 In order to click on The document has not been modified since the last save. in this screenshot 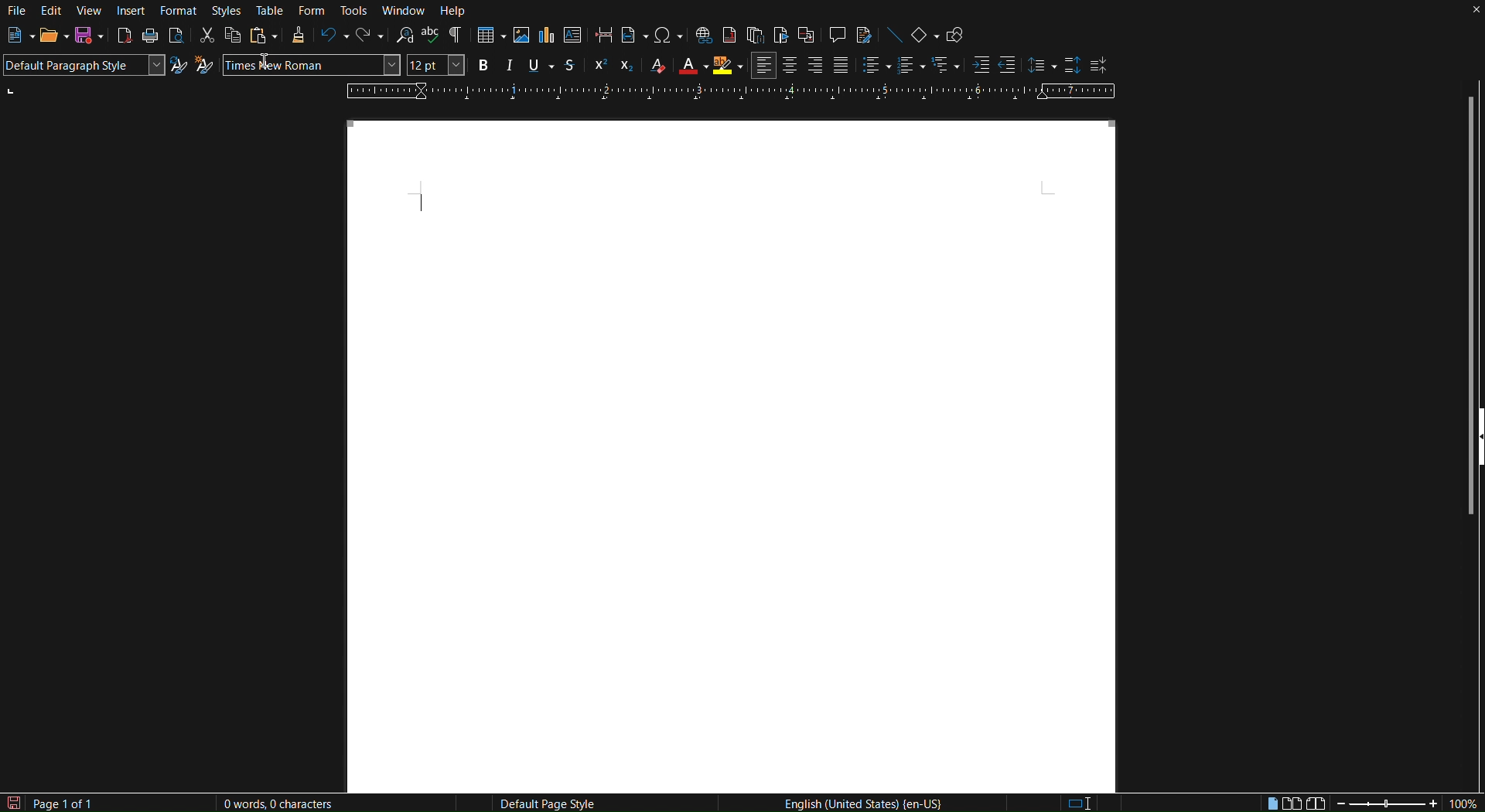, I will do `click(11, 803)`.